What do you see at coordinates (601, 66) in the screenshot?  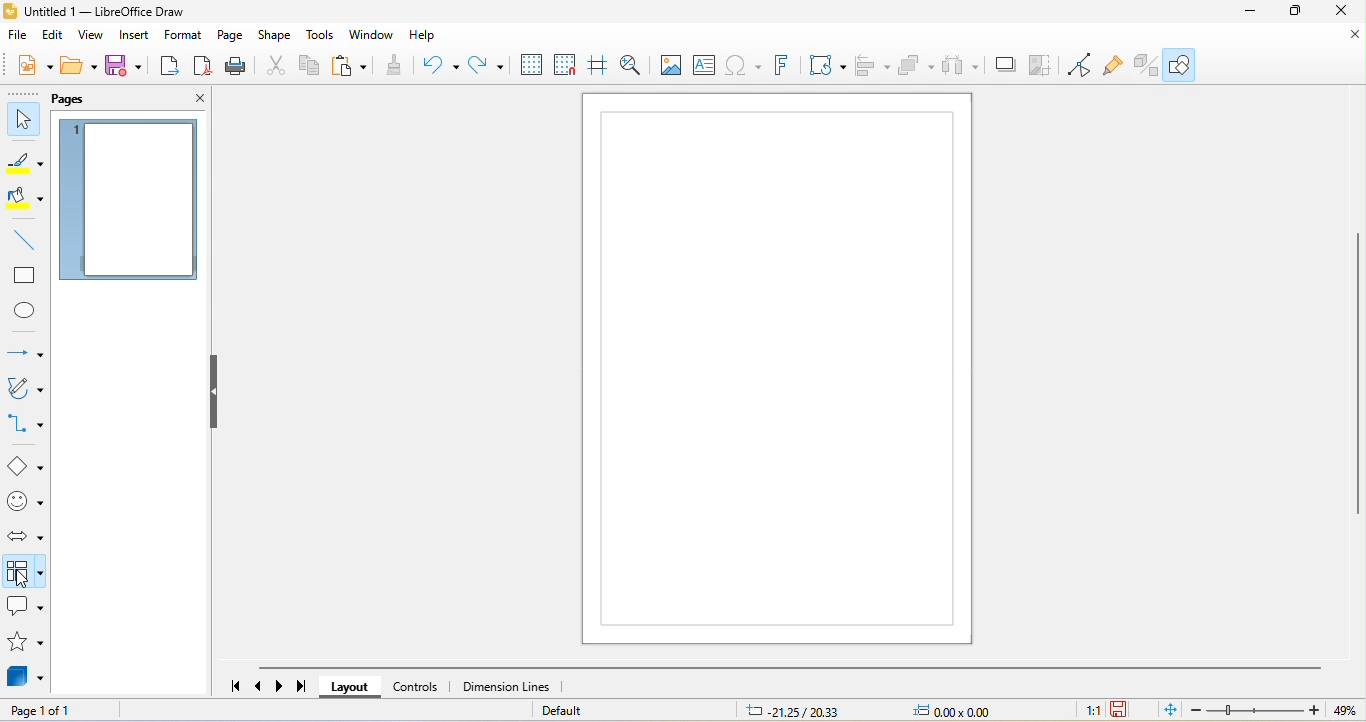 I see `helplines while moving` at bounding box center [601, 66].